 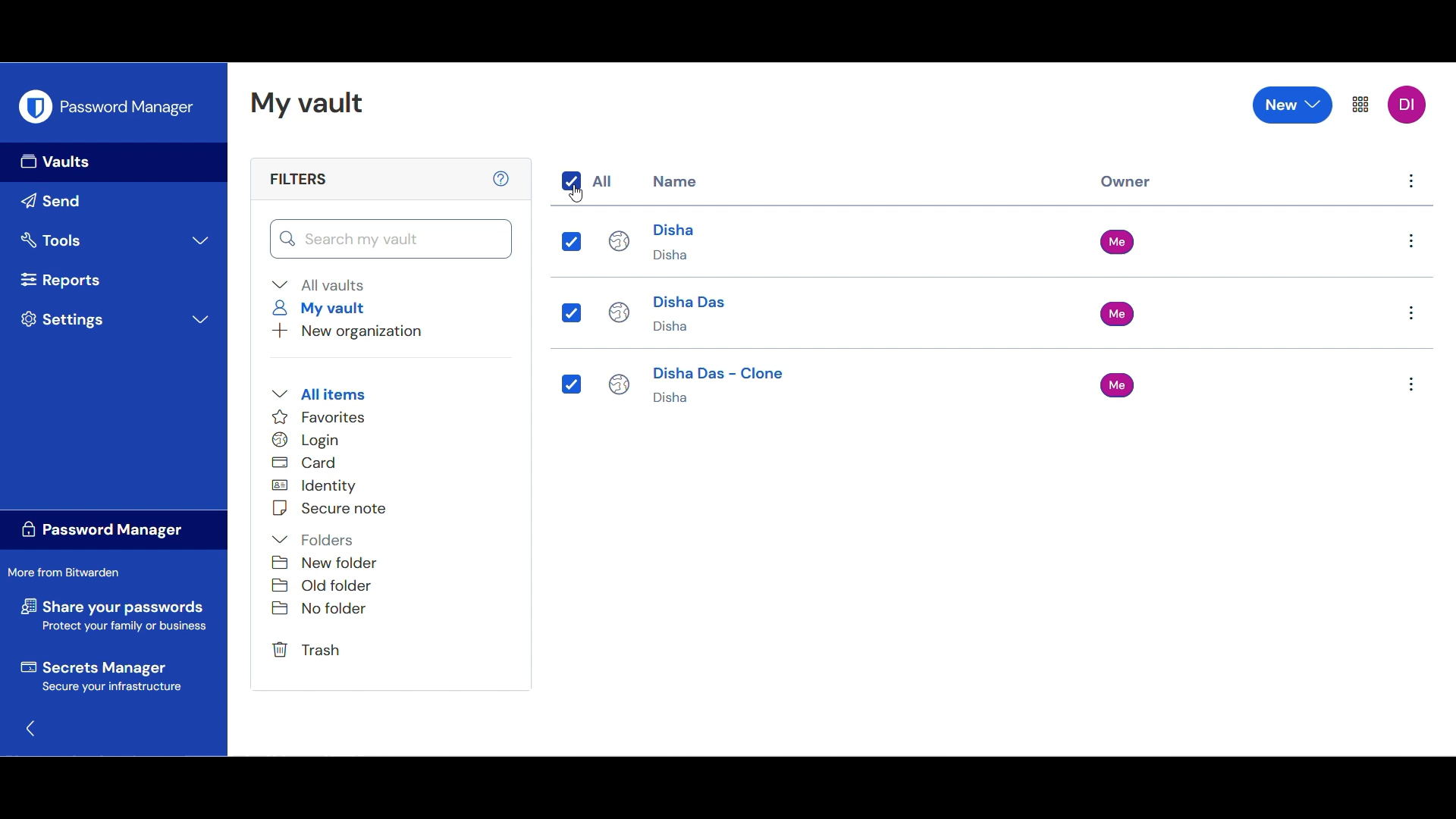 What do you see at coordinates (297, 178) in the screenshot?
I see `Filters` at bounding box center [297, 178].